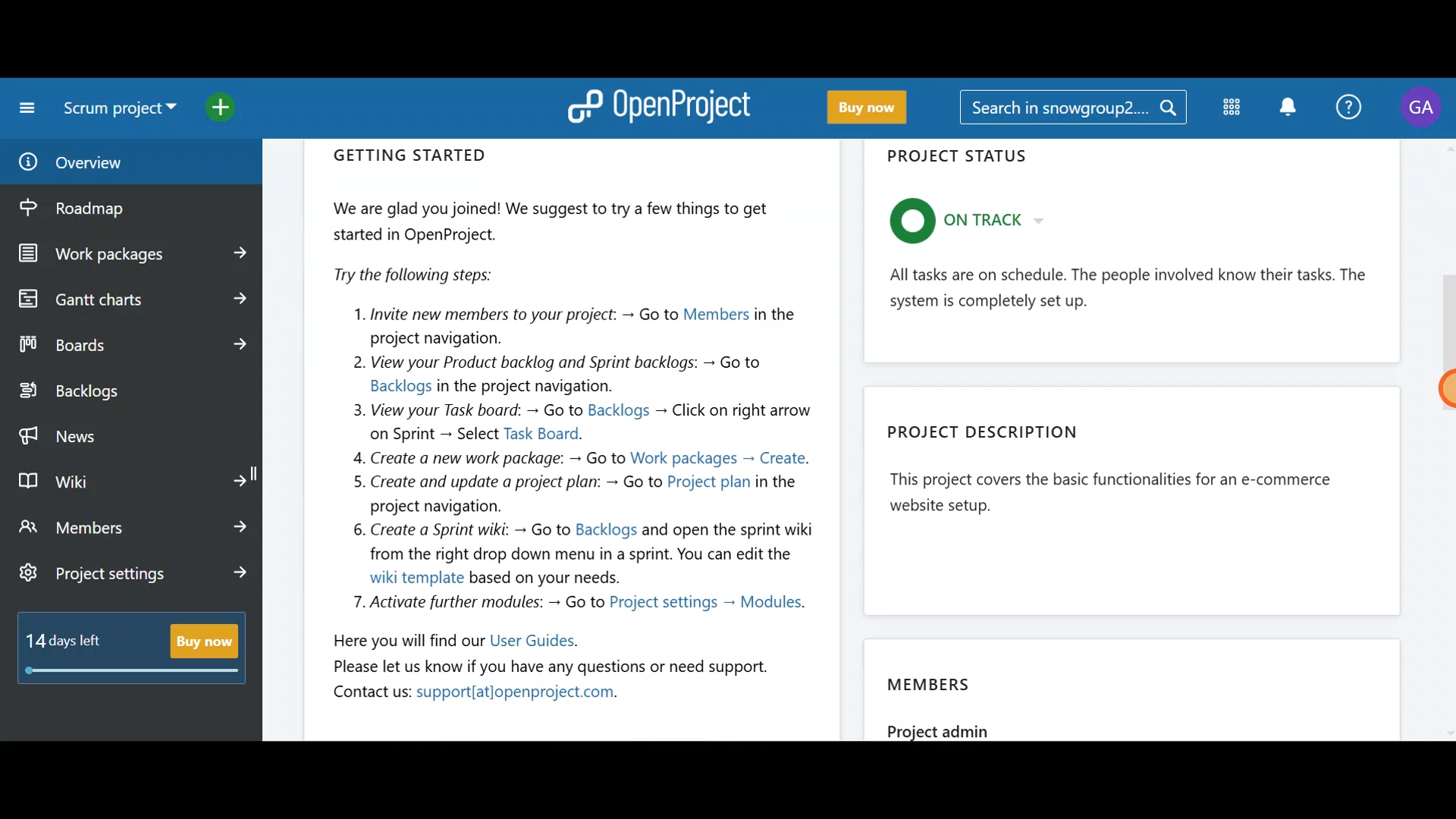  I want to click on OpenProject, so click(664, 105).